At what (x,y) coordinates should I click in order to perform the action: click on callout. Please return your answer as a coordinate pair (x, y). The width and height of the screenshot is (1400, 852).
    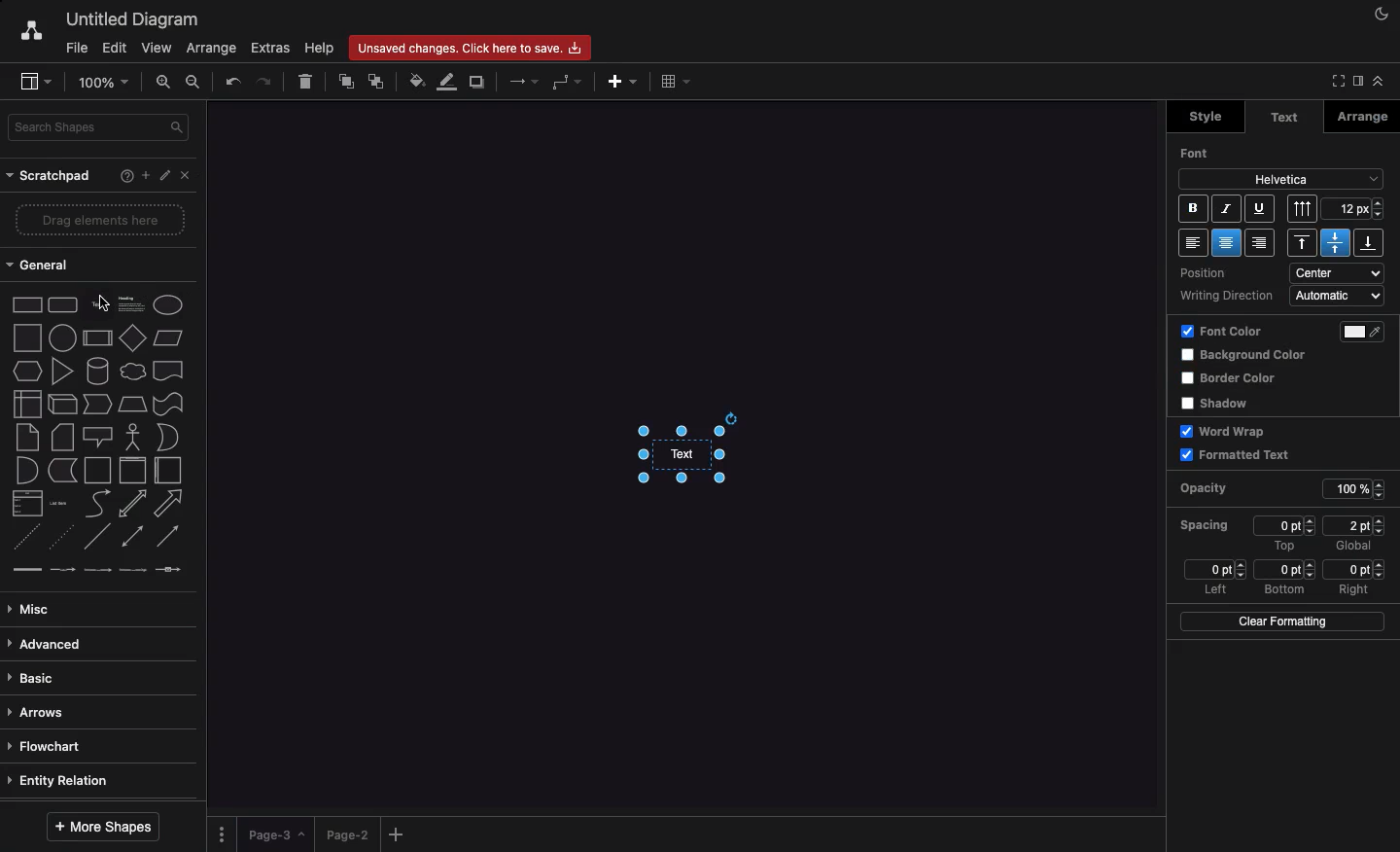
    Looking at the image, I should click on (98, 438).